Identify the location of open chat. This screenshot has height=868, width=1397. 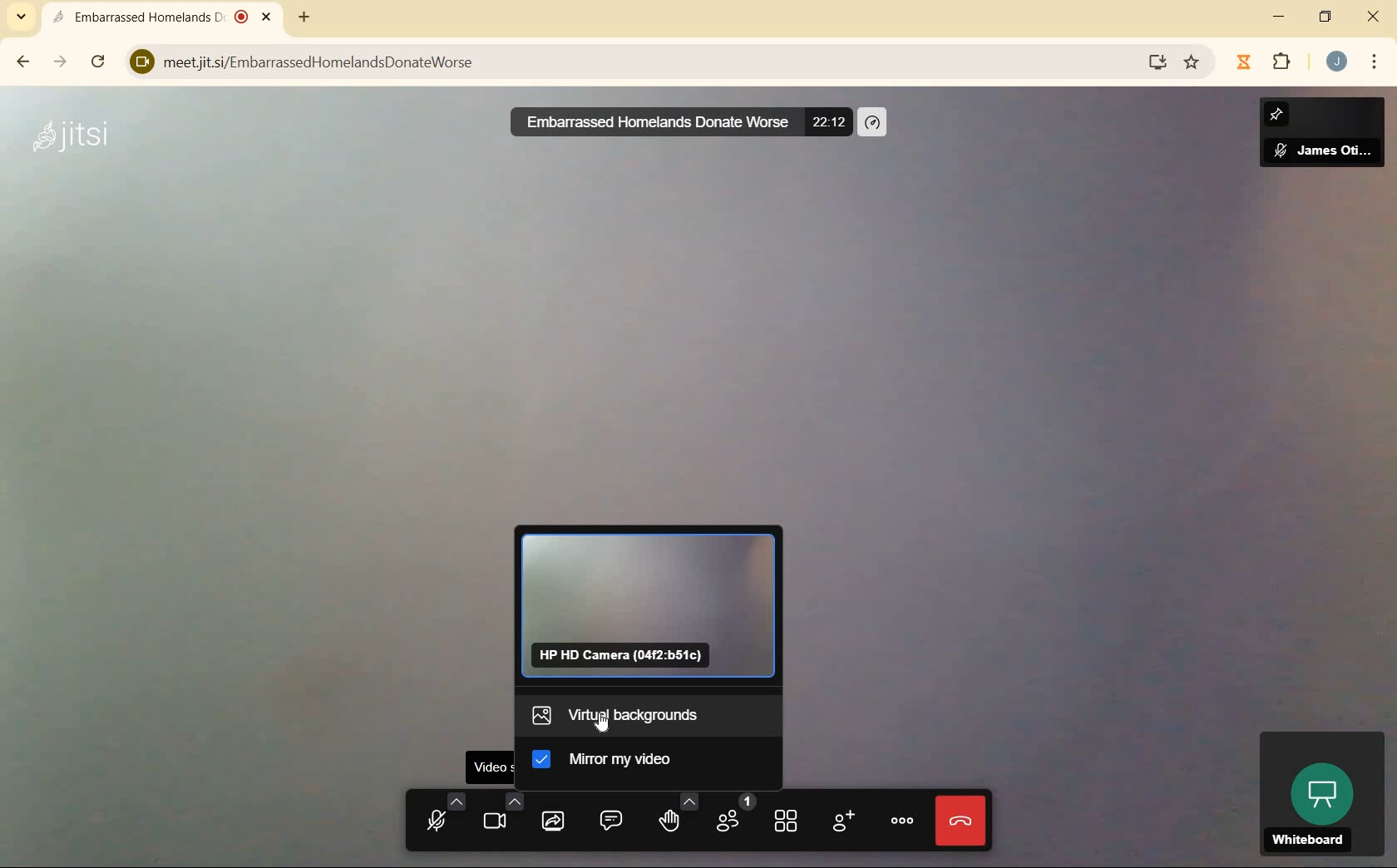
(610, 818).